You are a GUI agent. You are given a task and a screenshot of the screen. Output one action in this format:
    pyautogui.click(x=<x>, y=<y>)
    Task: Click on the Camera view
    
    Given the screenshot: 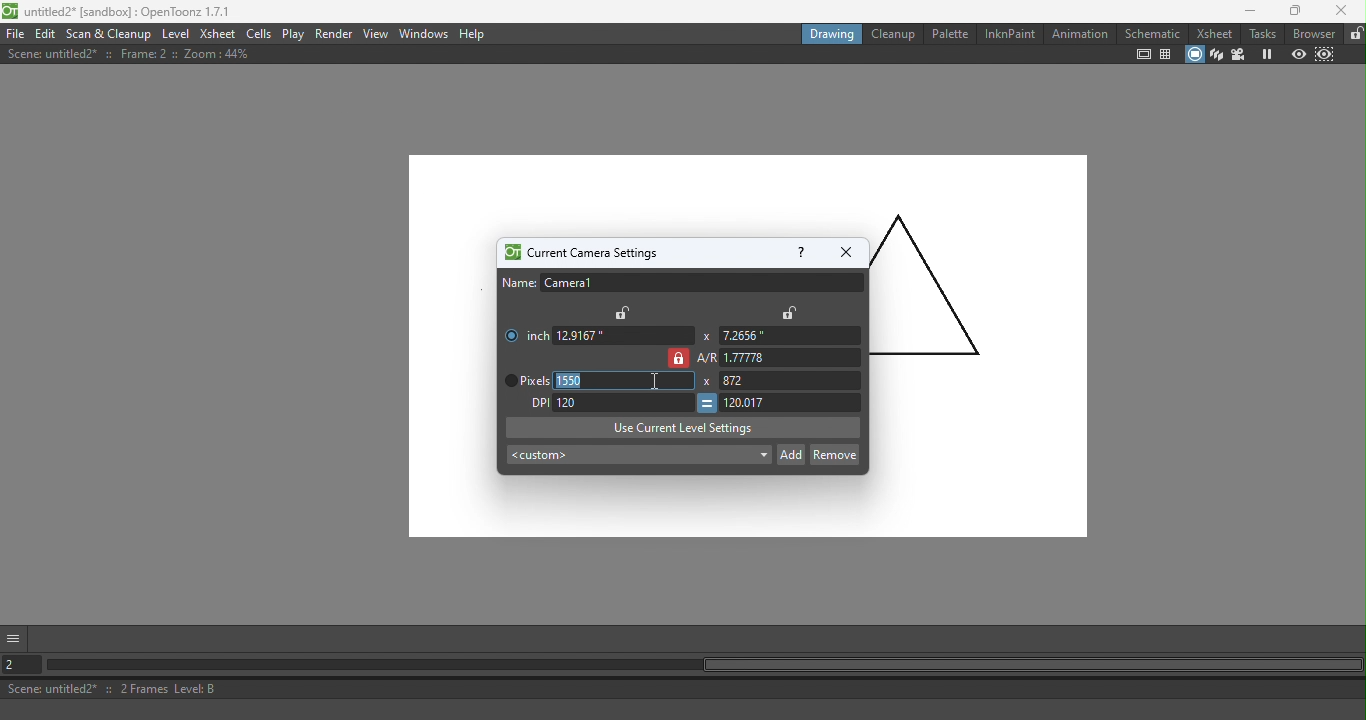 What is the action you would take?
    pyautogui.click(x=1238, y=55)
    